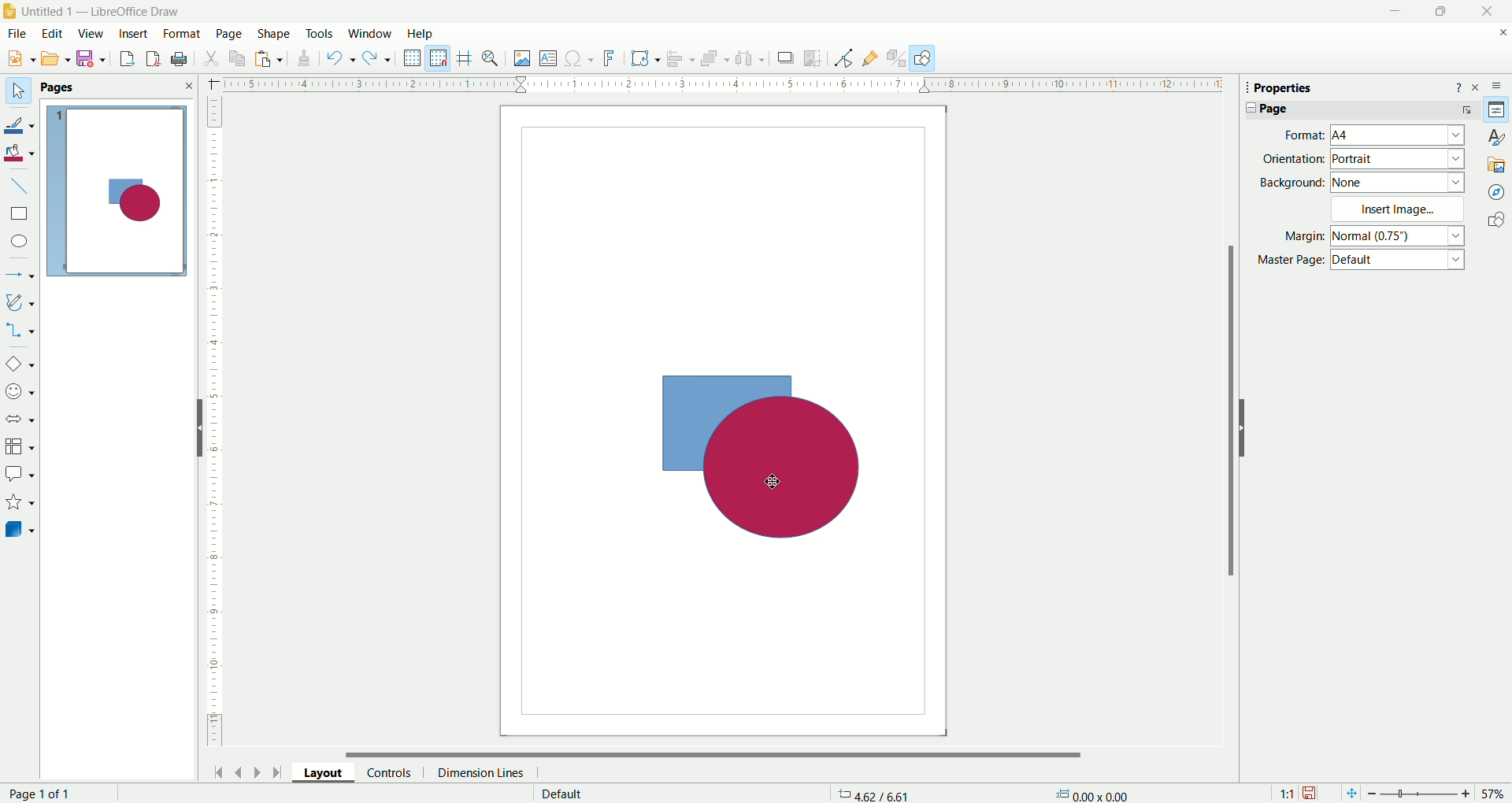  What do you see at coordinates (270, 61) in the screenshot?
I see `paste` at bounding box center [270, 61].